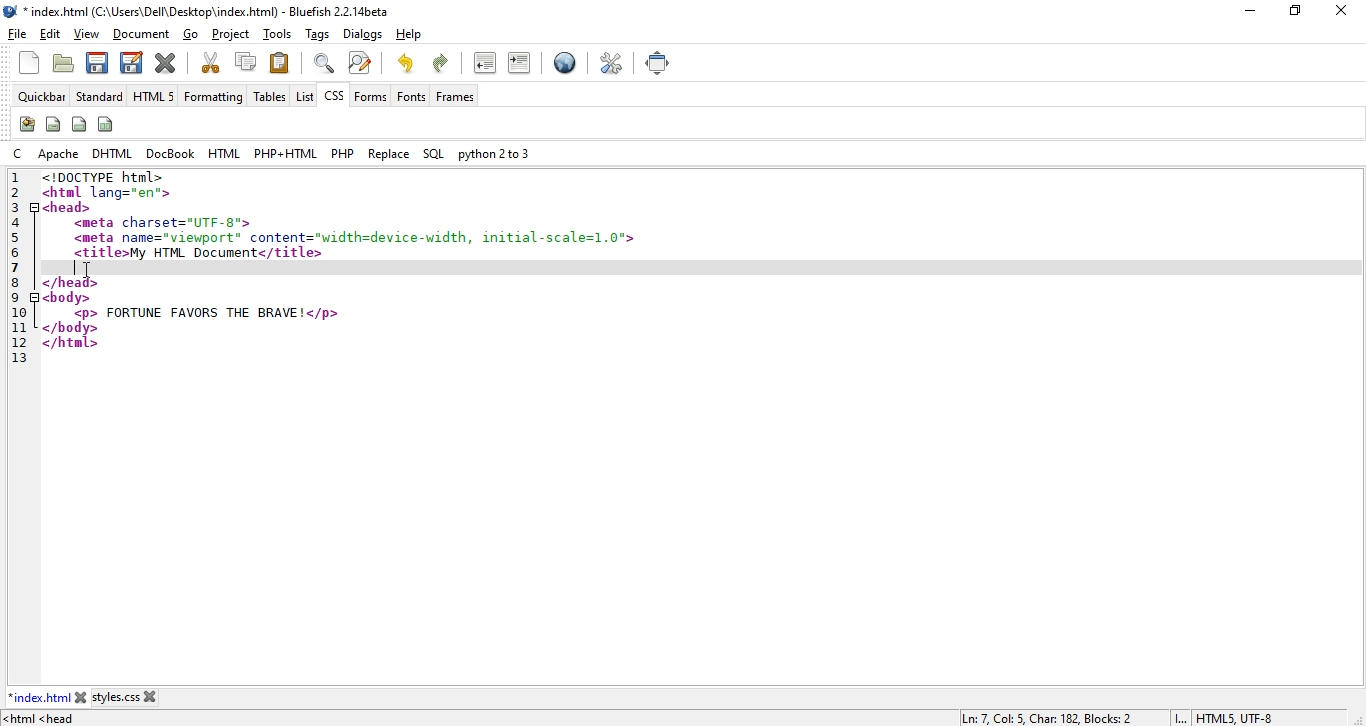 The width and height of the screenshot is (1366, 726). I want to click on <title>My HTML Document</title>, so click(198, 253).